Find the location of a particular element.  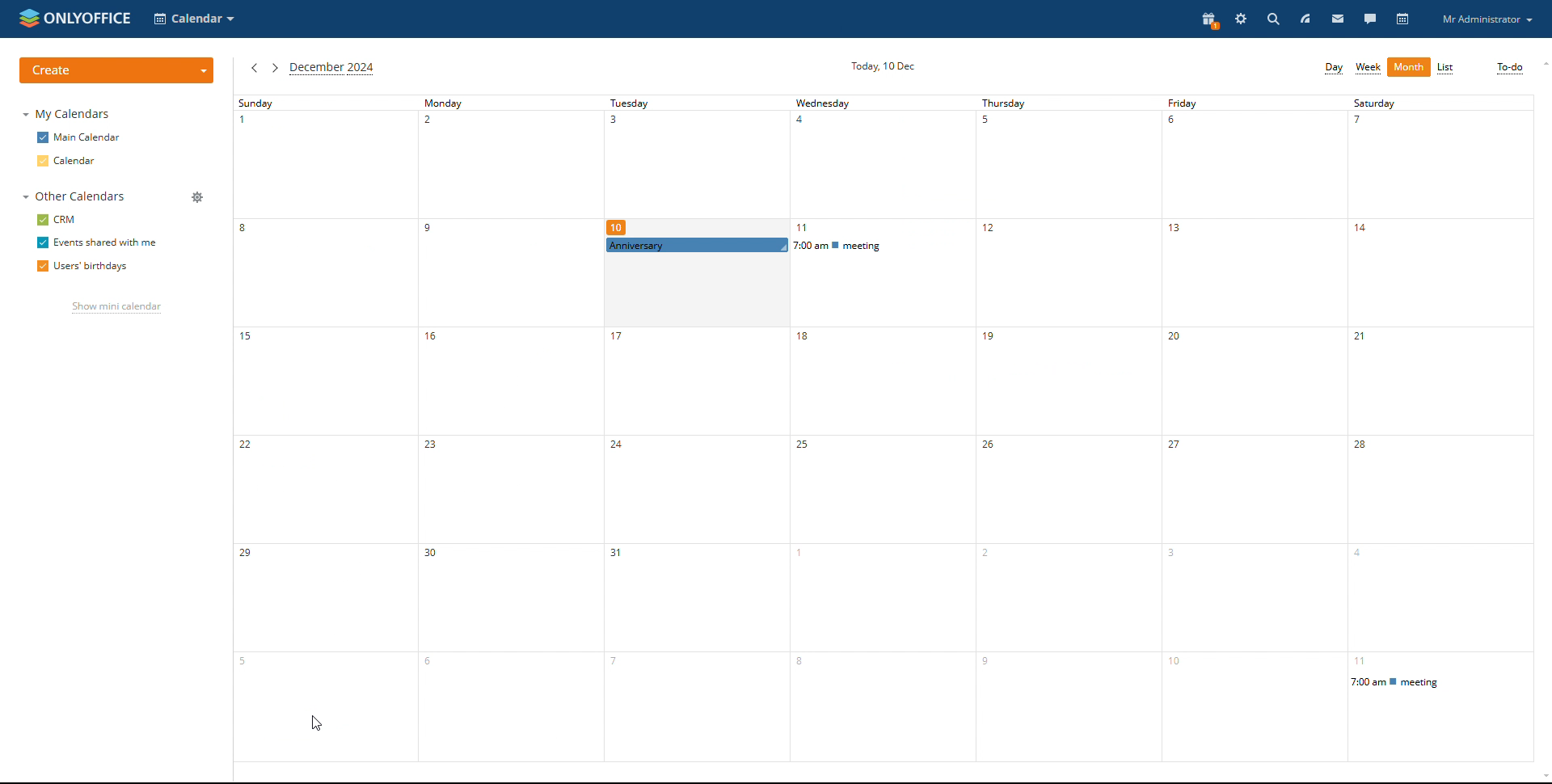

calendar is located at coordinates (1401, 19).